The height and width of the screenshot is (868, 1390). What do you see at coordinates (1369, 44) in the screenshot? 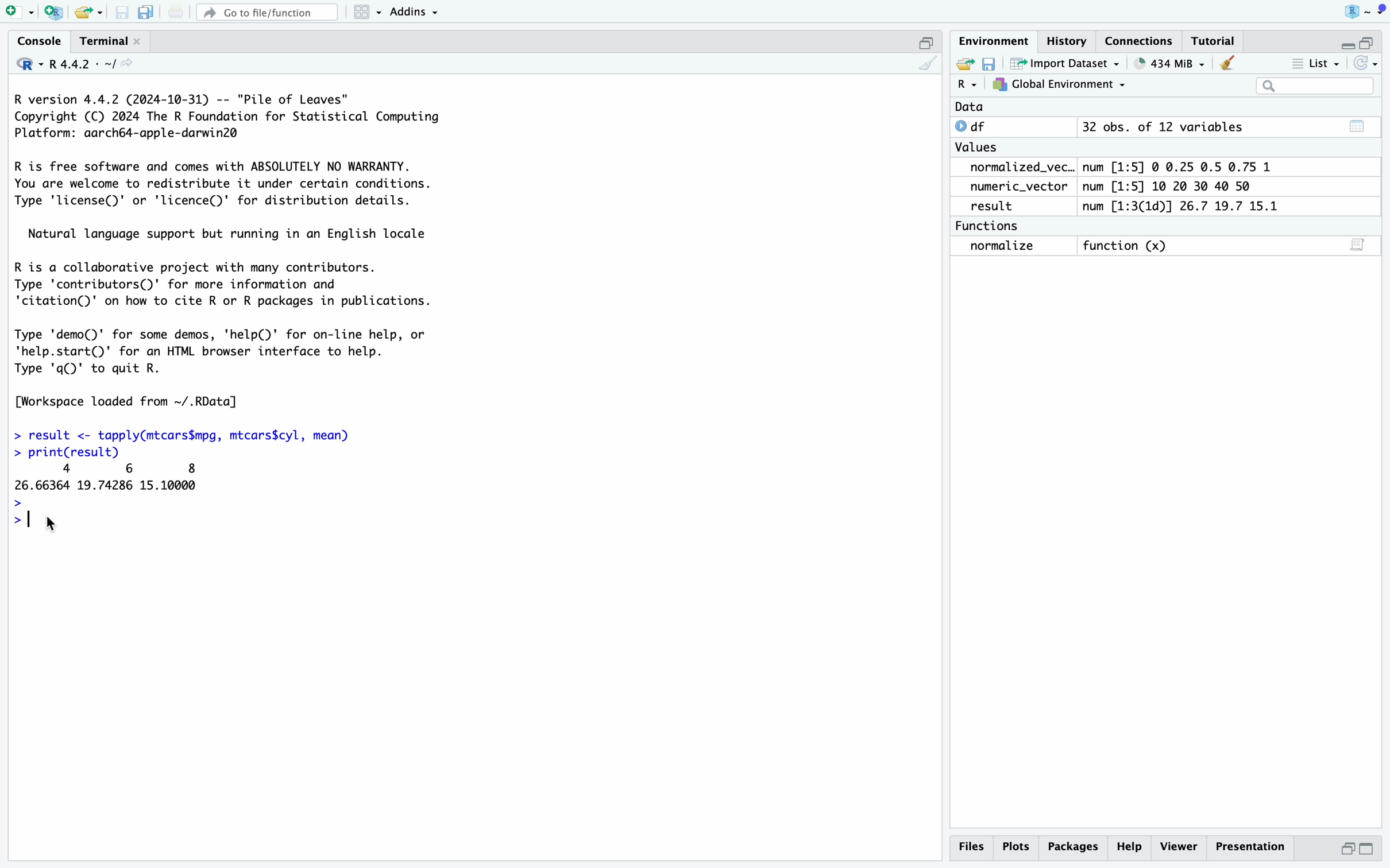
I see `Half height` at bounding box center [1369, 44].